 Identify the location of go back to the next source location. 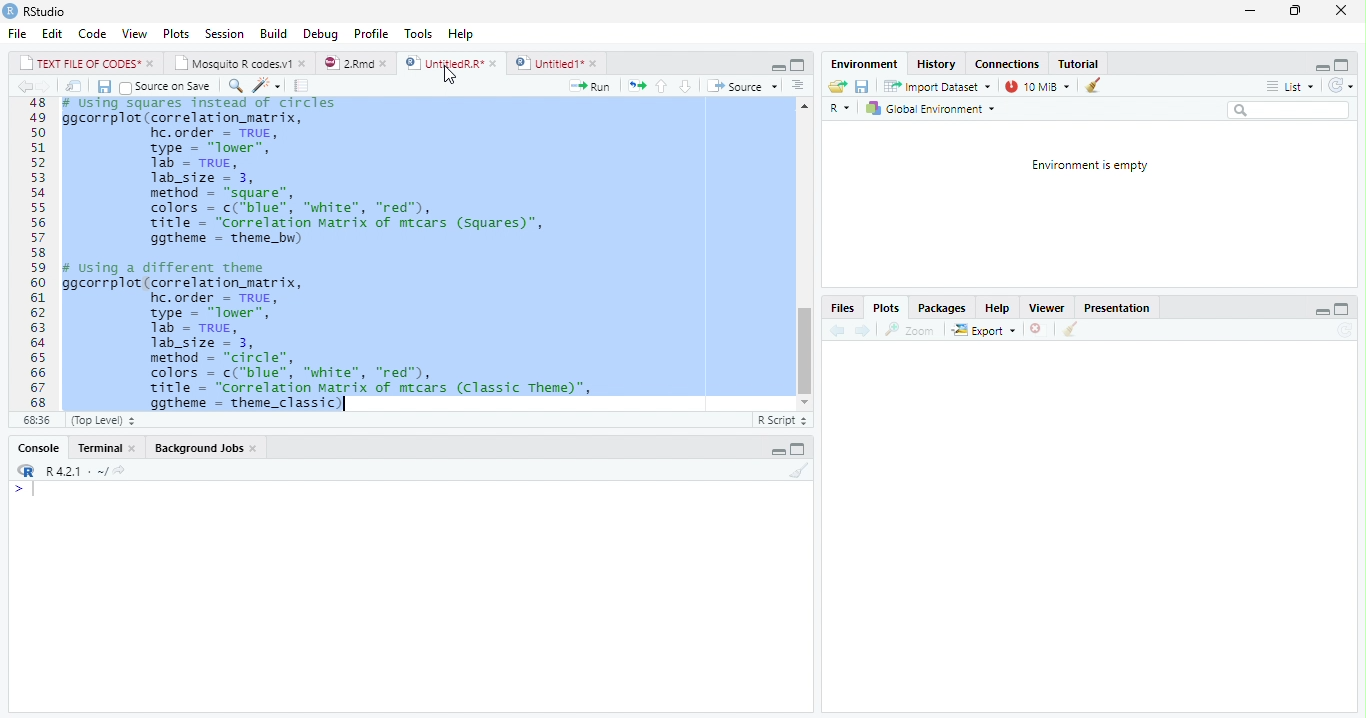
(50, 87).